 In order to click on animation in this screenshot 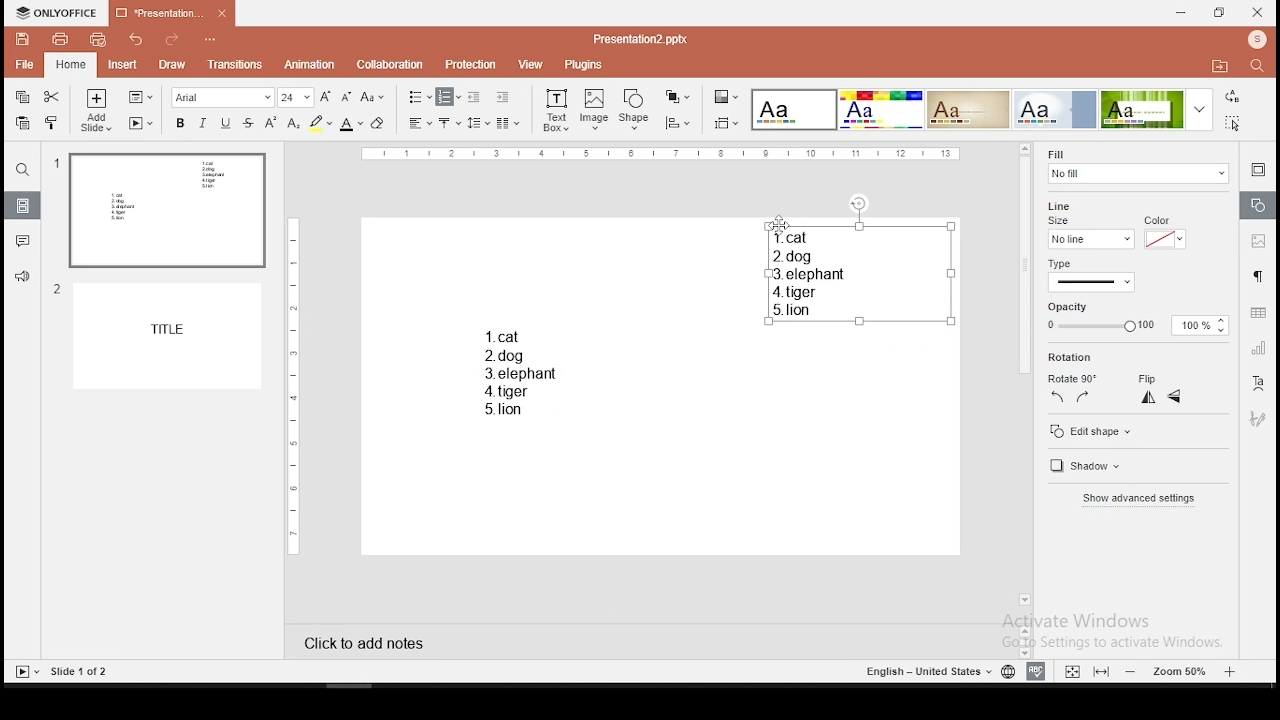, I will do `click(311, 65)`.